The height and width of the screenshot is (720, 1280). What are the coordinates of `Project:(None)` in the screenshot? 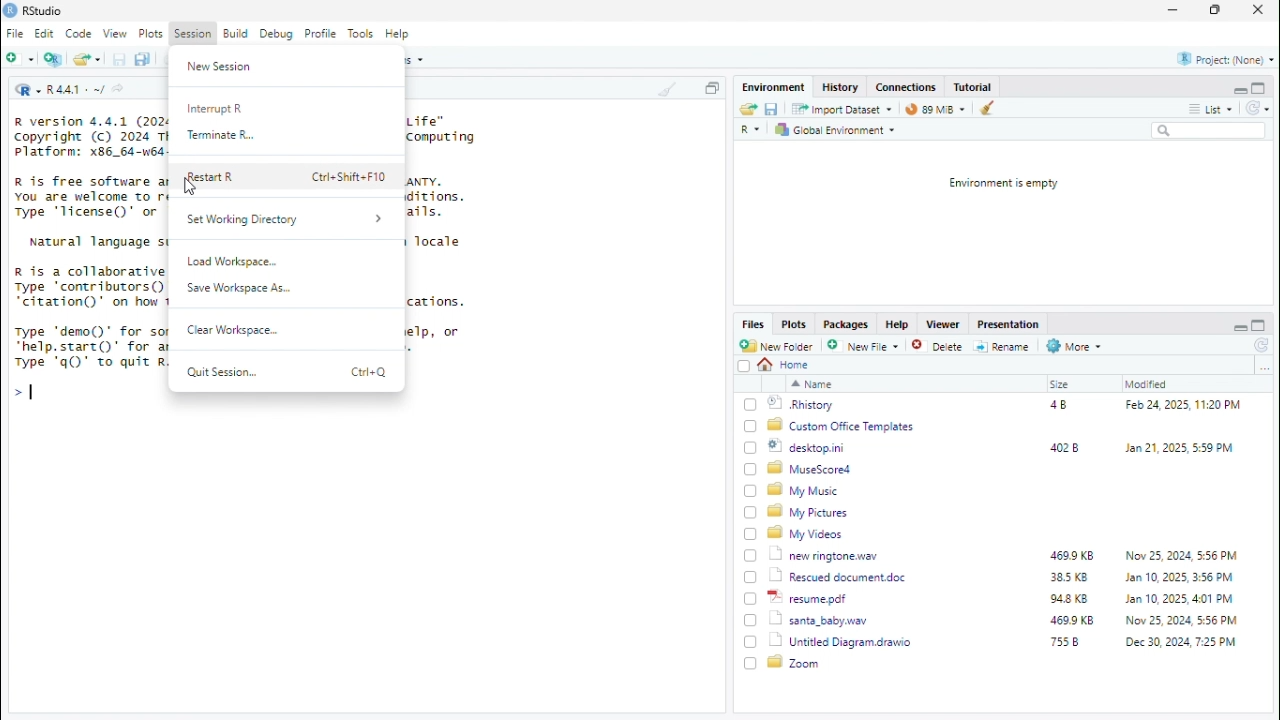 It's located at (1227, 60).